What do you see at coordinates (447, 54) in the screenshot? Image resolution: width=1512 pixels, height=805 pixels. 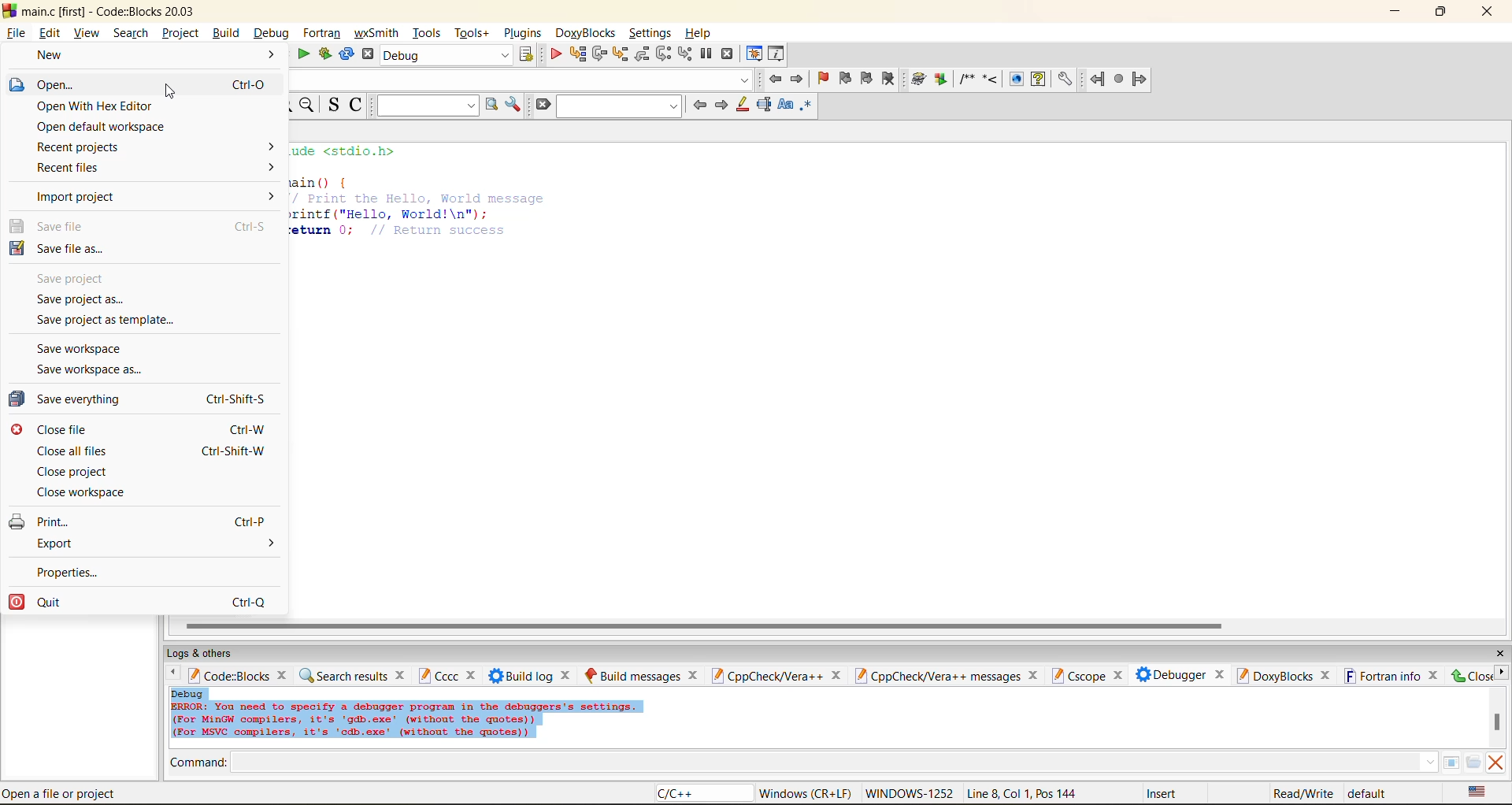 I see `build target` at bounding box center [447, 54].